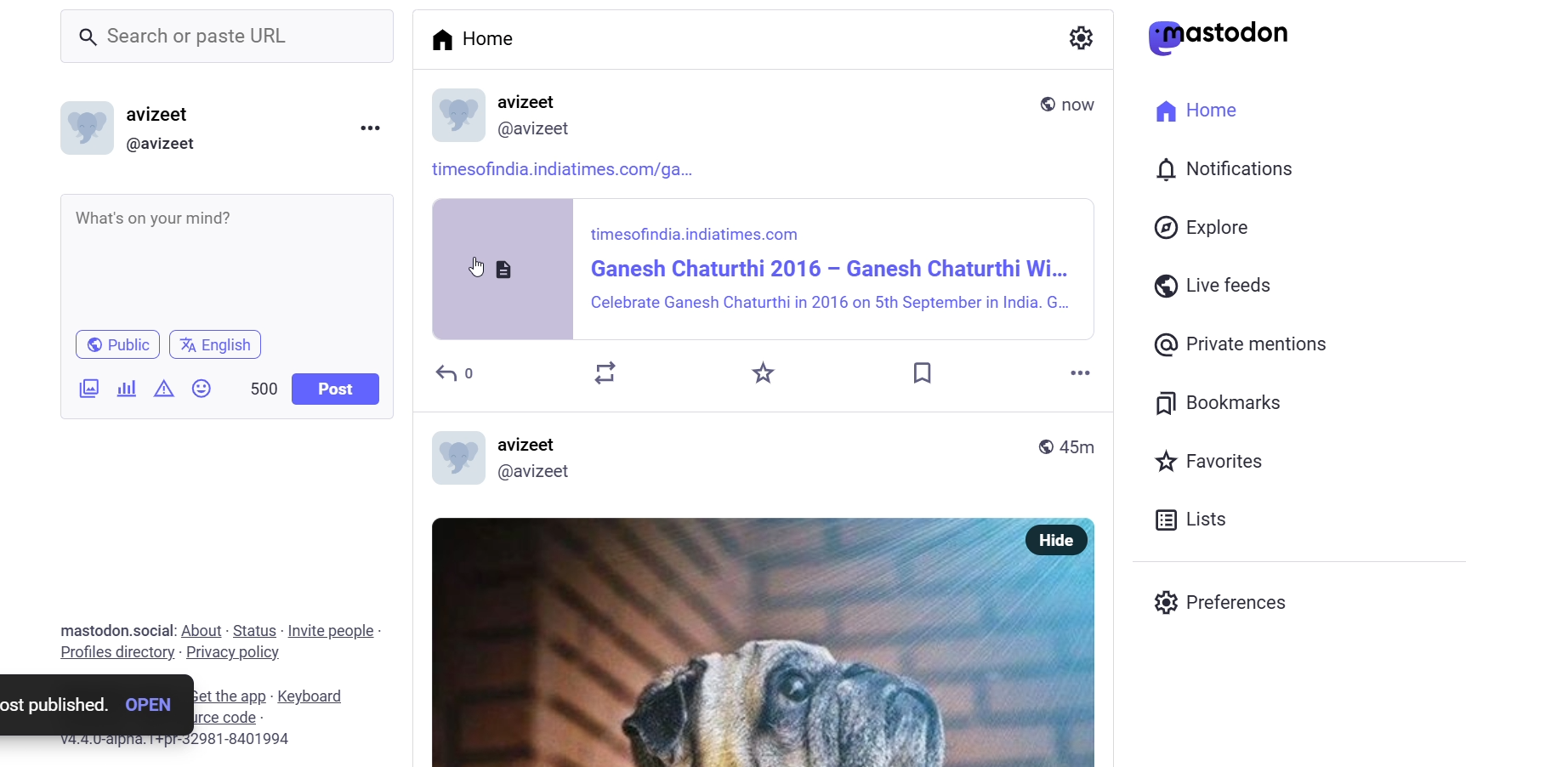  What do you see at coordinates (735, 650) in the screenshot?
I see `OY
uo L Si -
“WHEREUERFOOD'FALLS,
7 ISHALI'BETHERE!>` at bounding box center [735, 650].